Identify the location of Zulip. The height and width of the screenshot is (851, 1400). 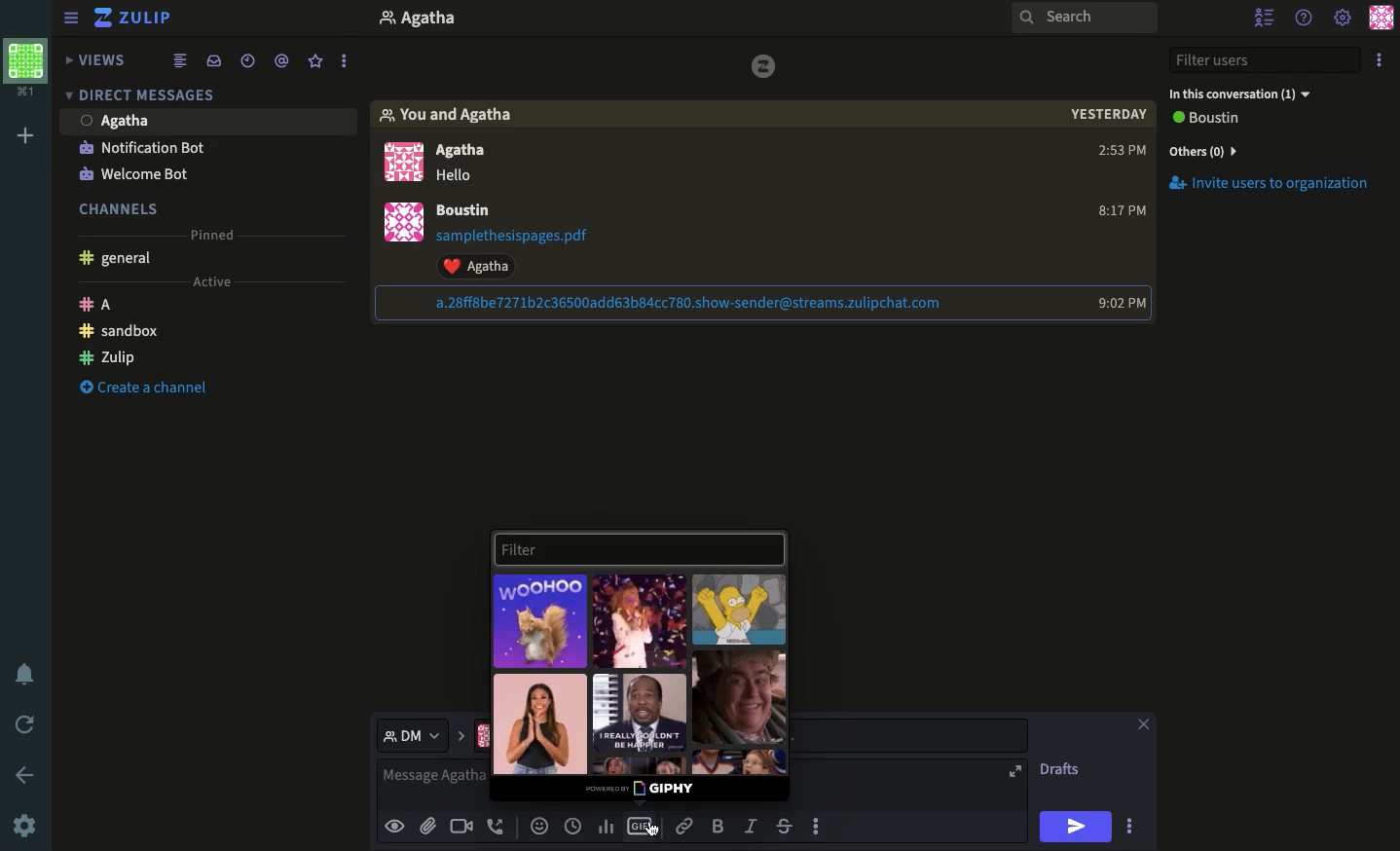
(107, 360).